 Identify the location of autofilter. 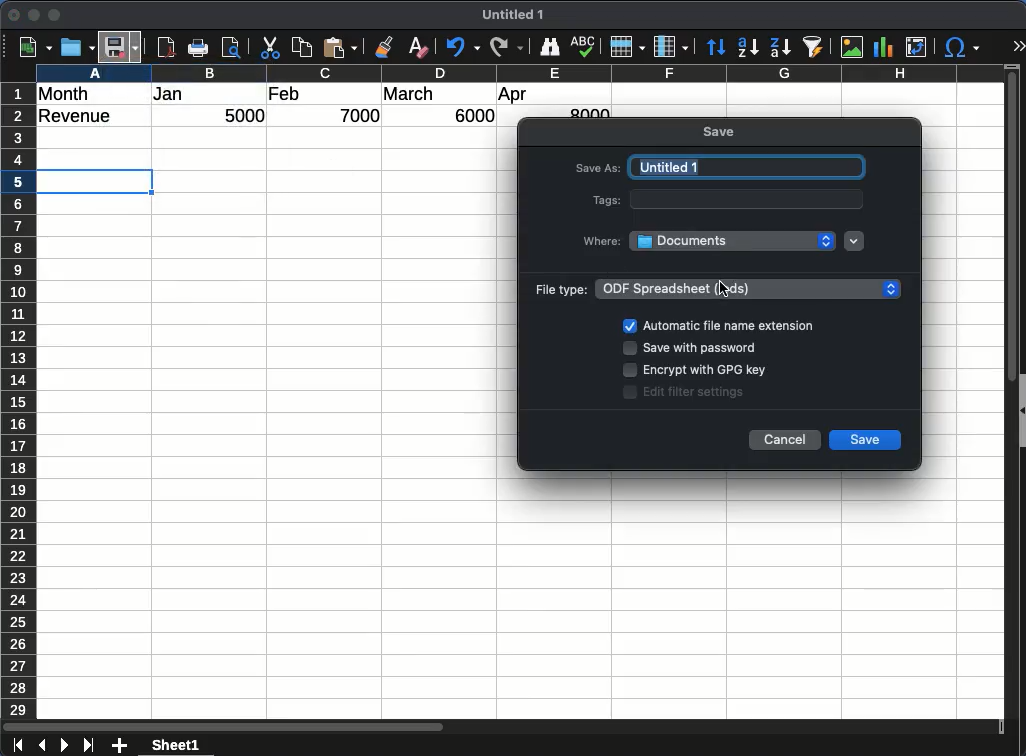
(813, 47).